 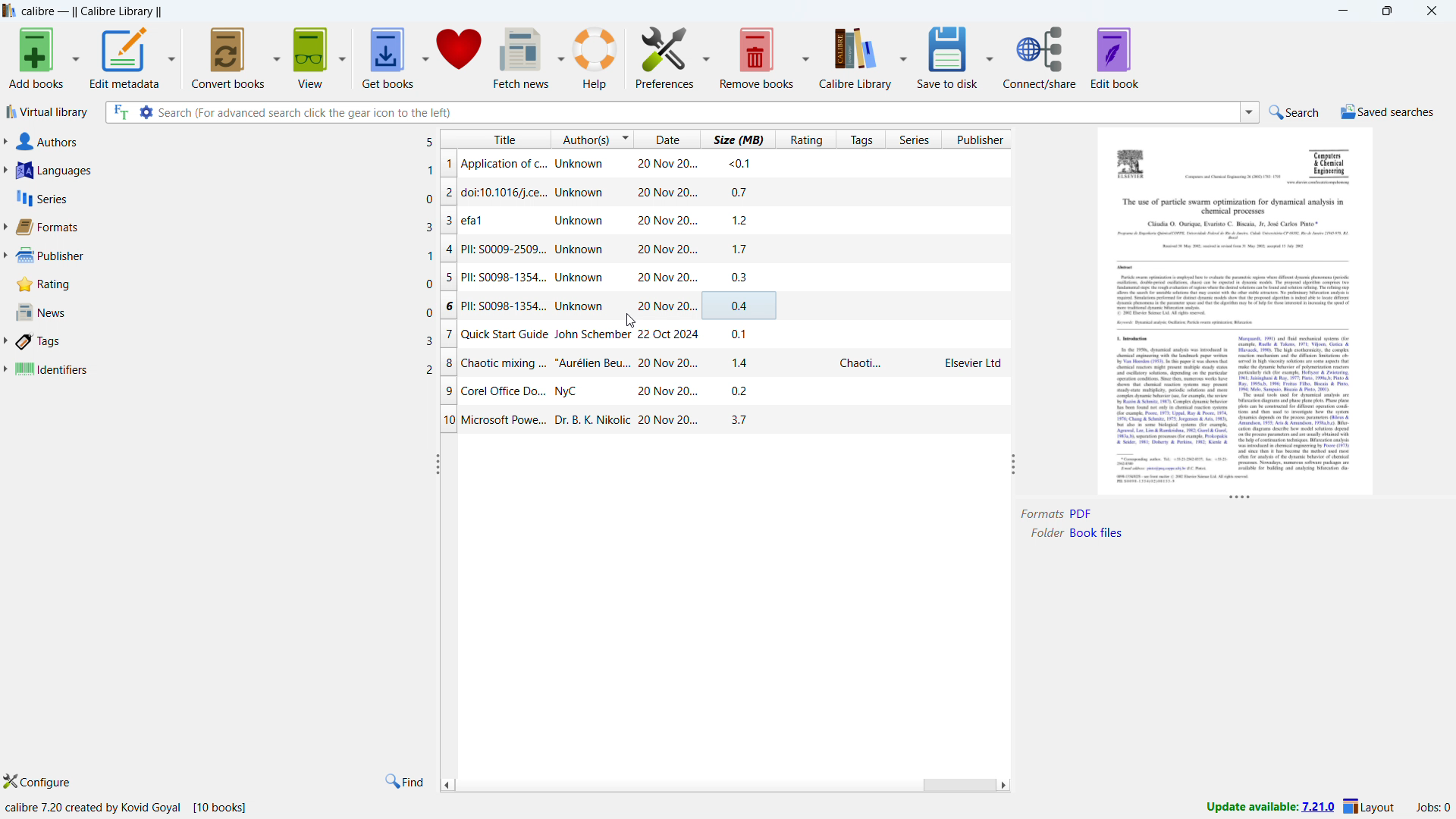 What do you see at coordinates (1004, 786) in the screenshot?
I see `scroll right` at bounding box center [1004, 786].